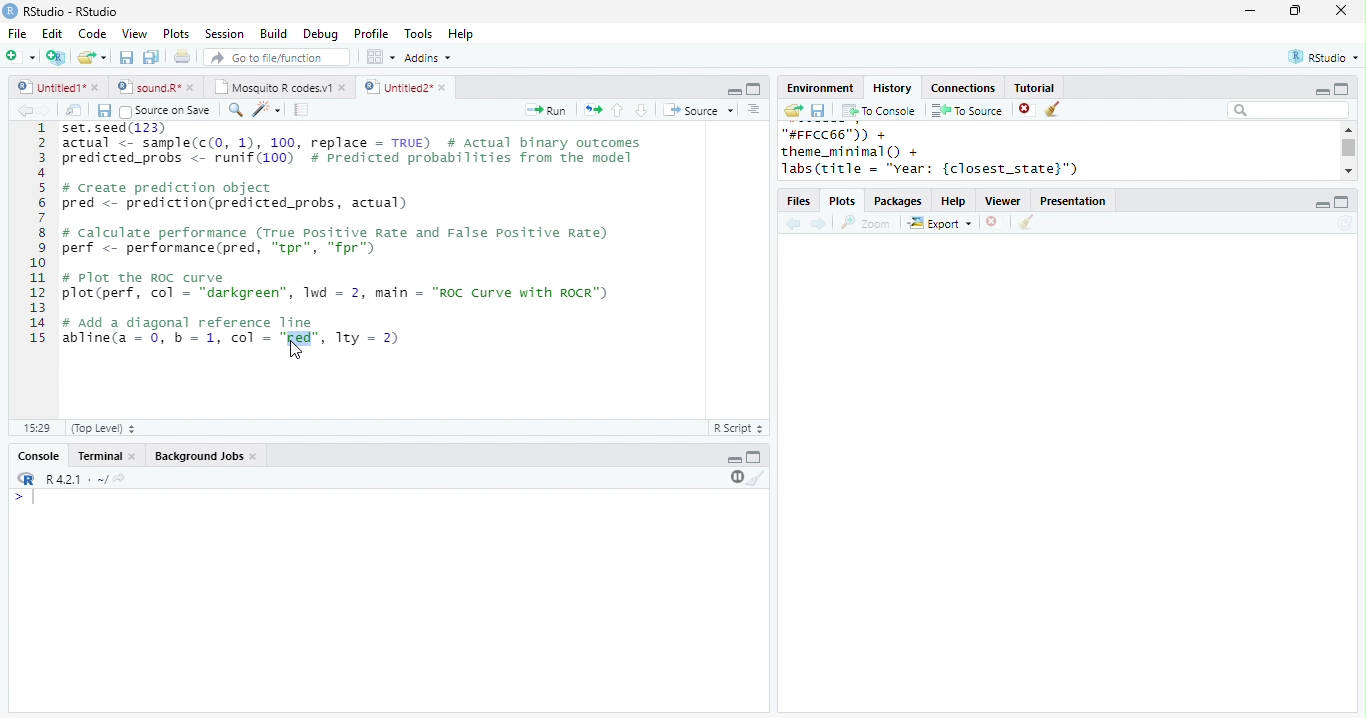 The width and height of the screenshot is (1366, 718). What do you see at coordinates (27, 497) in the screenshot?
I see `>` at bounding box center [27, 497].